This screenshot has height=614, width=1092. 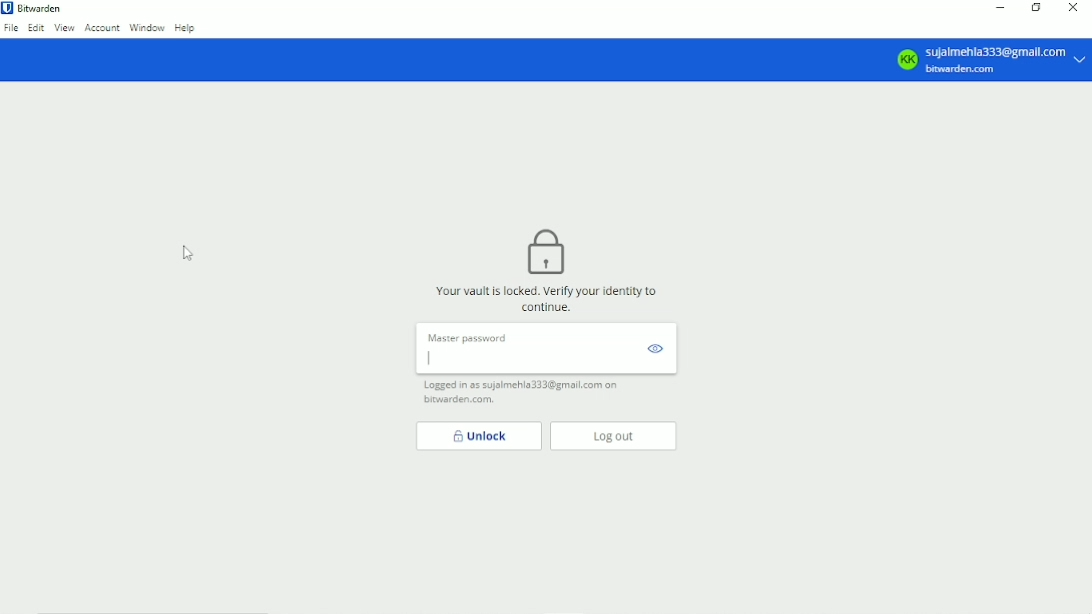 I want to click on Log out, so click(x=615, y=434).